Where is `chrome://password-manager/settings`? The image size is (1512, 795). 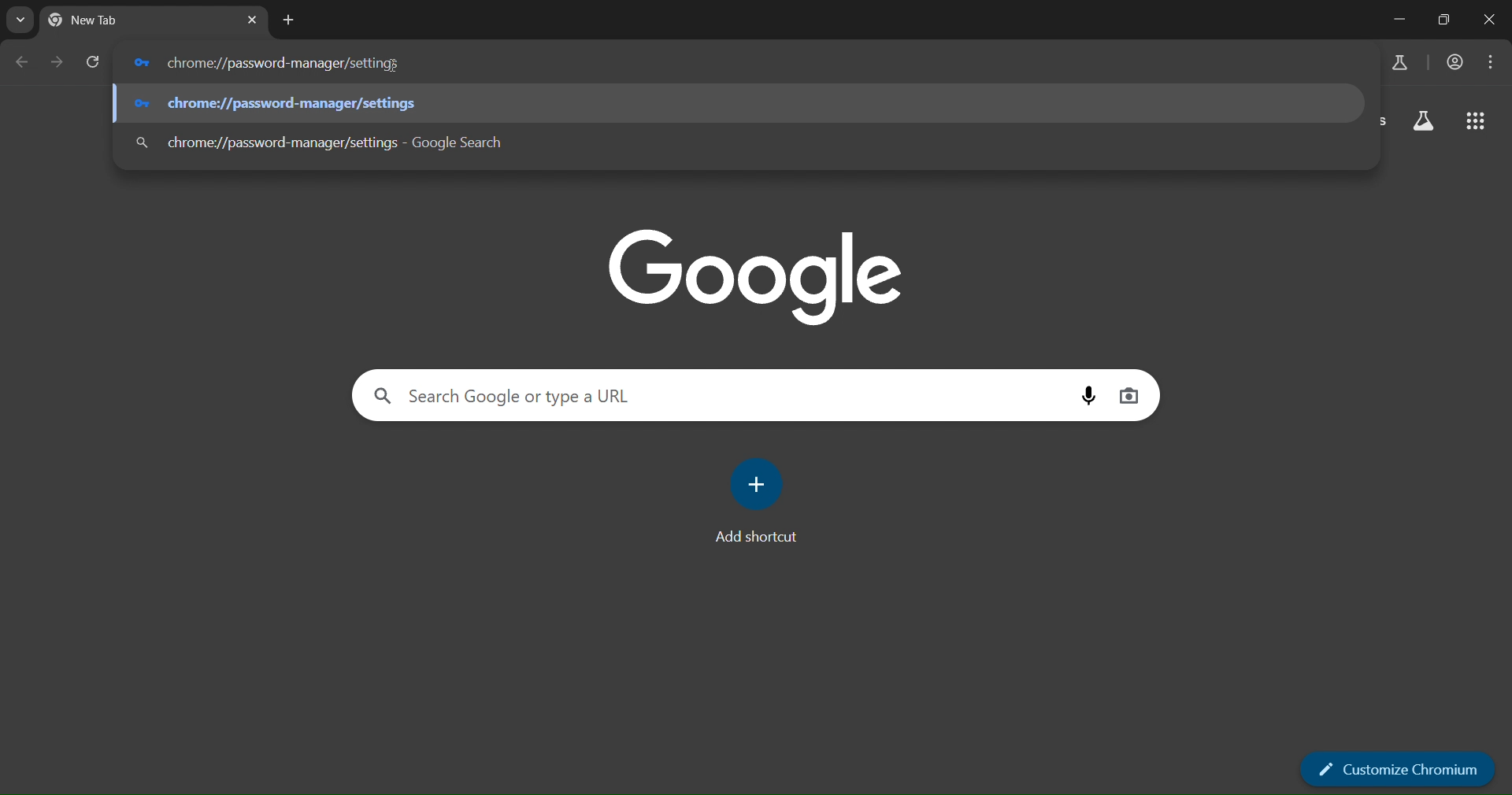 chrome://password-manager/settings is located at coordinates (741, 139).